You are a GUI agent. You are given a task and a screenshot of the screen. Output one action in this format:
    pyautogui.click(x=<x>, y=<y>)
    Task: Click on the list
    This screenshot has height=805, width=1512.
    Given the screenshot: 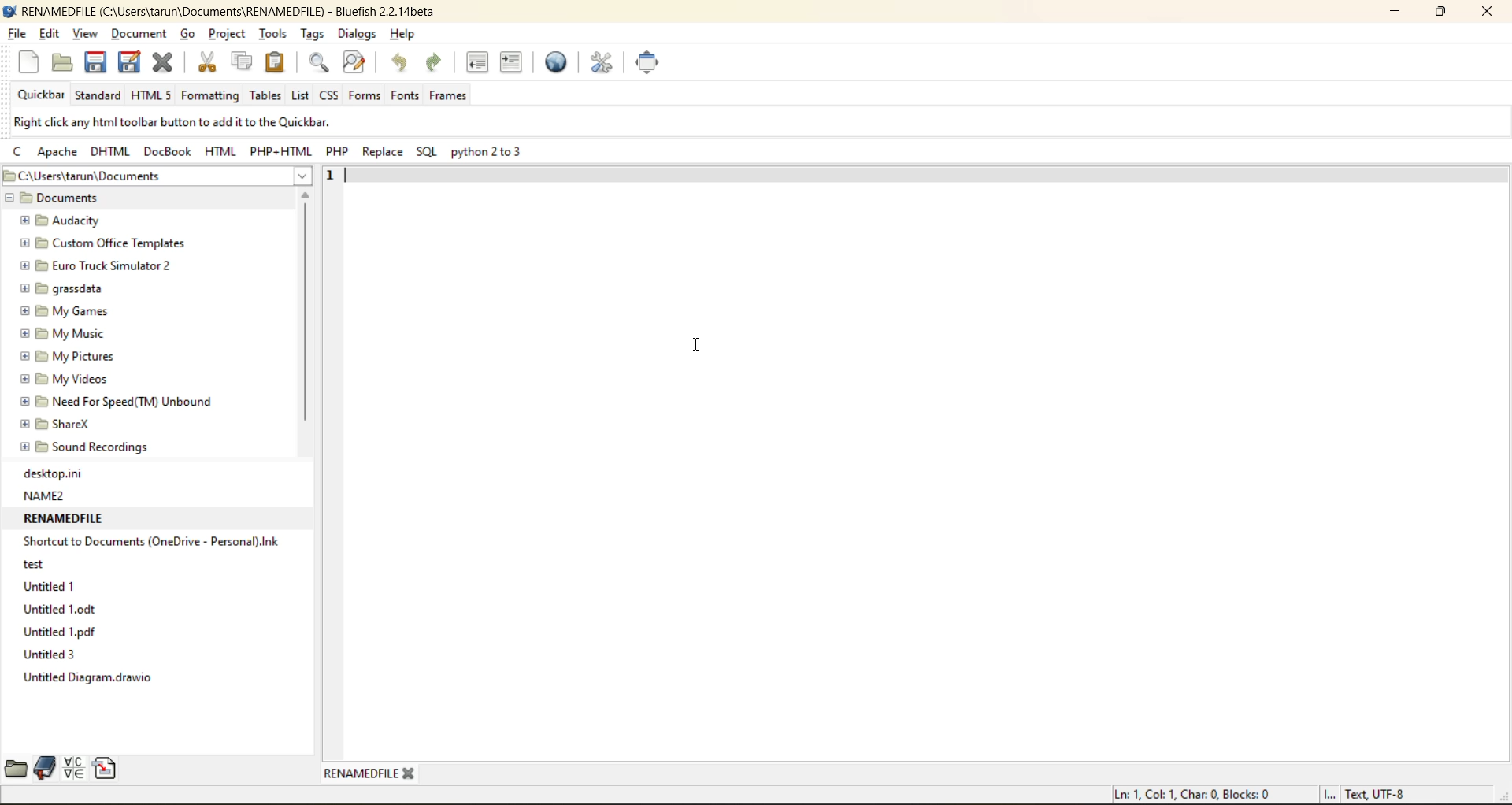 What is the action you would take?
    pyautogui.click(x=298, y=95)
    